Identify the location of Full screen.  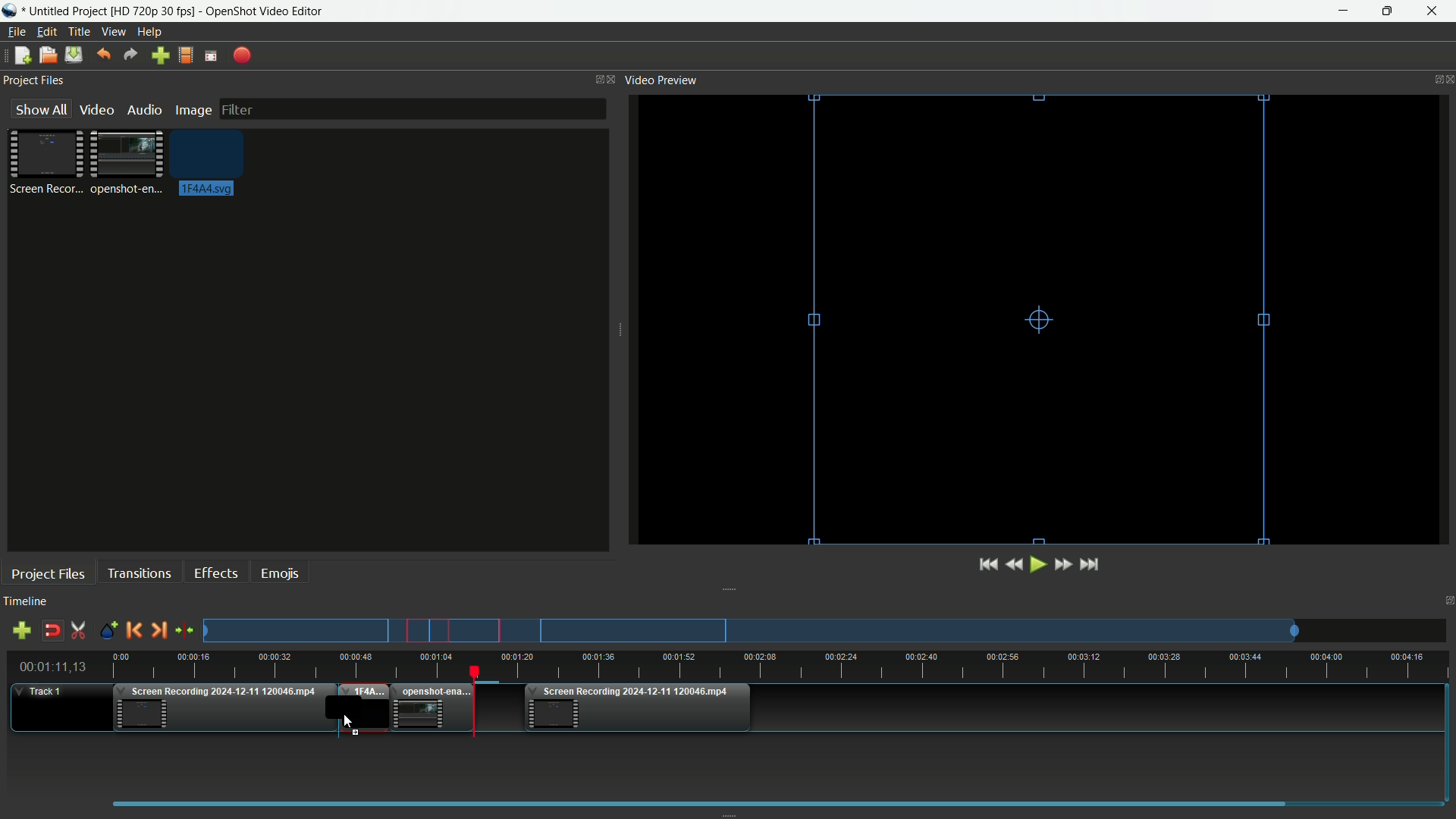
(211, 56).